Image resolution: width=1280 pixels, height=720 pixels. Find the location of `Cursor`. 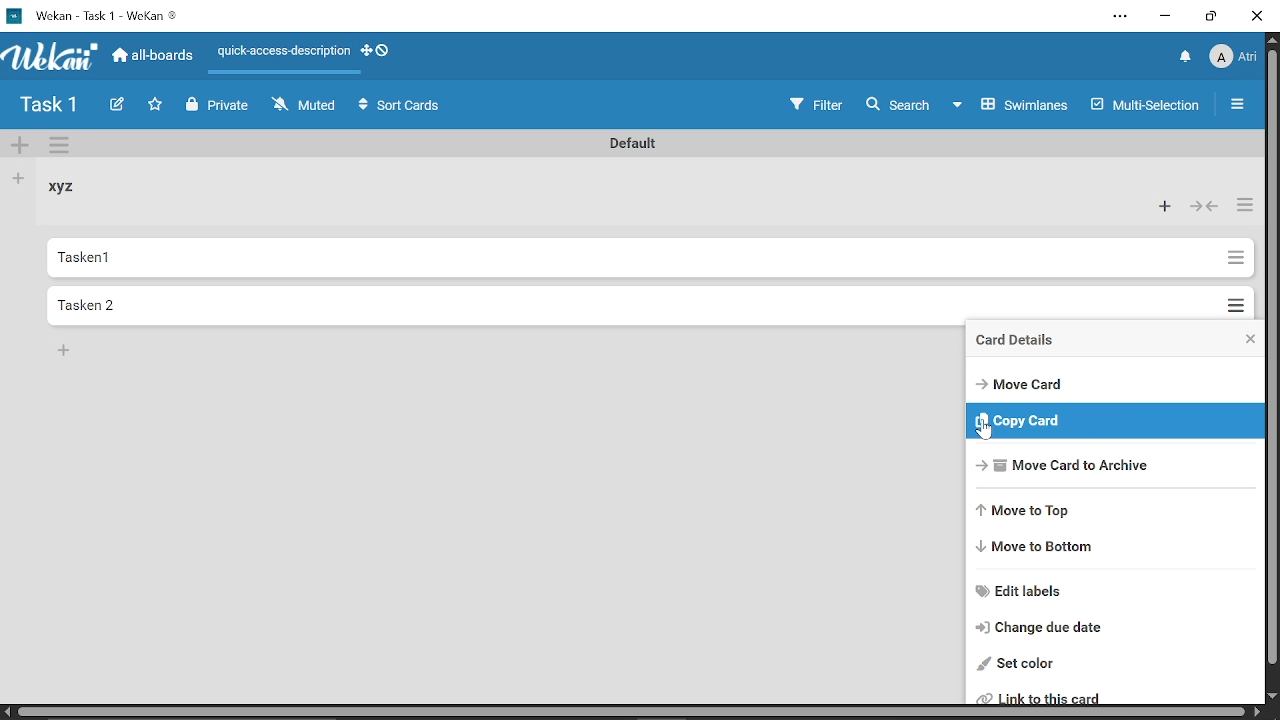

Cursor is located at coordinates (983, 431).